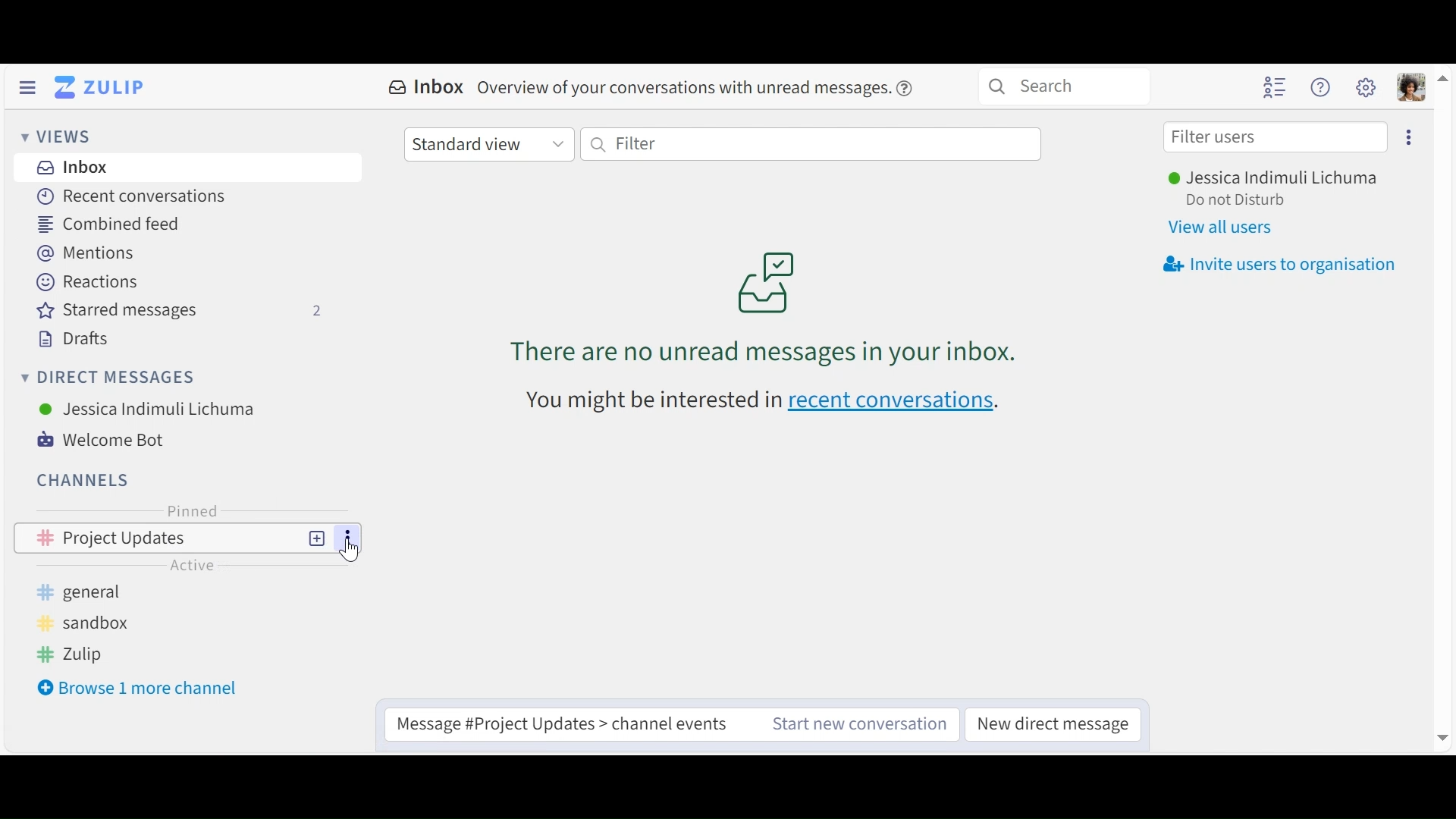  Describe the element at coordinates (756, 403) in the screenshot. I see `recent conversations` at that location.